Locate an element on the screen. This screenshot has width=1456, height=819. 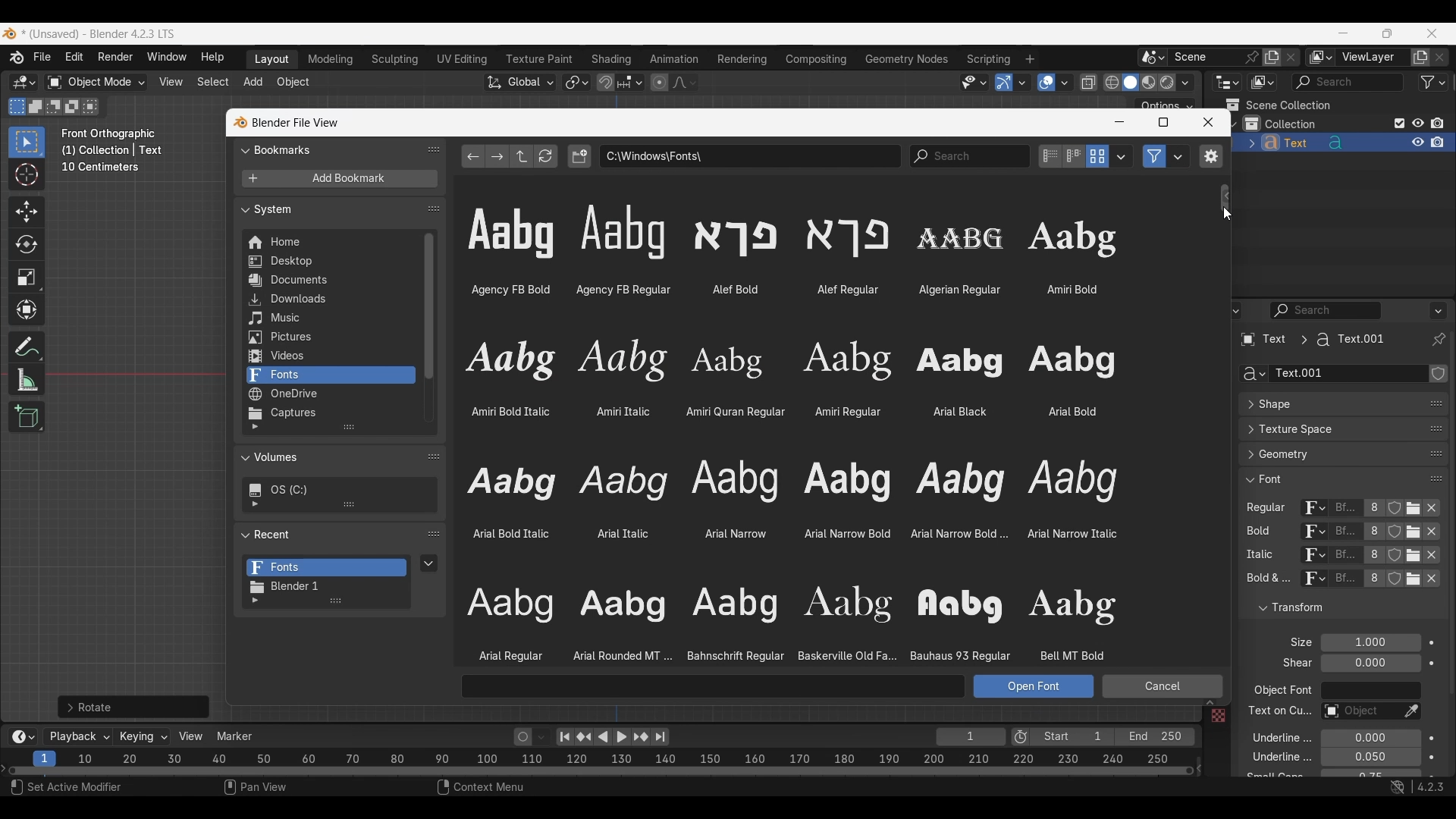
Click to see more edit options is located at coordinates (1197, 139).